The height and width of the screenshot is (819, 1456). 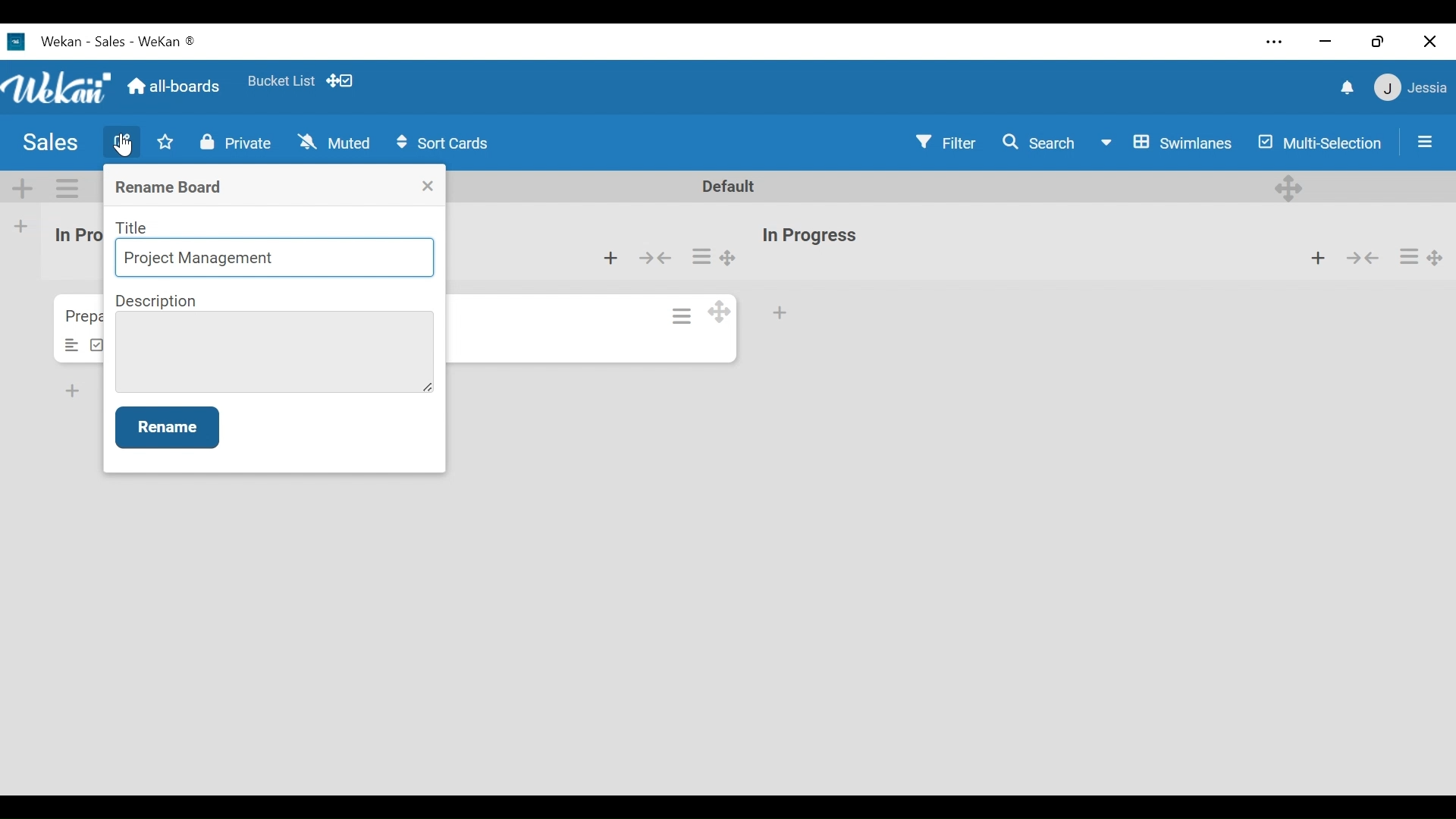 What do you see at coordinates (276, 259) in the screenshot?
I see `Title Field` at bounding box center [276, 259].